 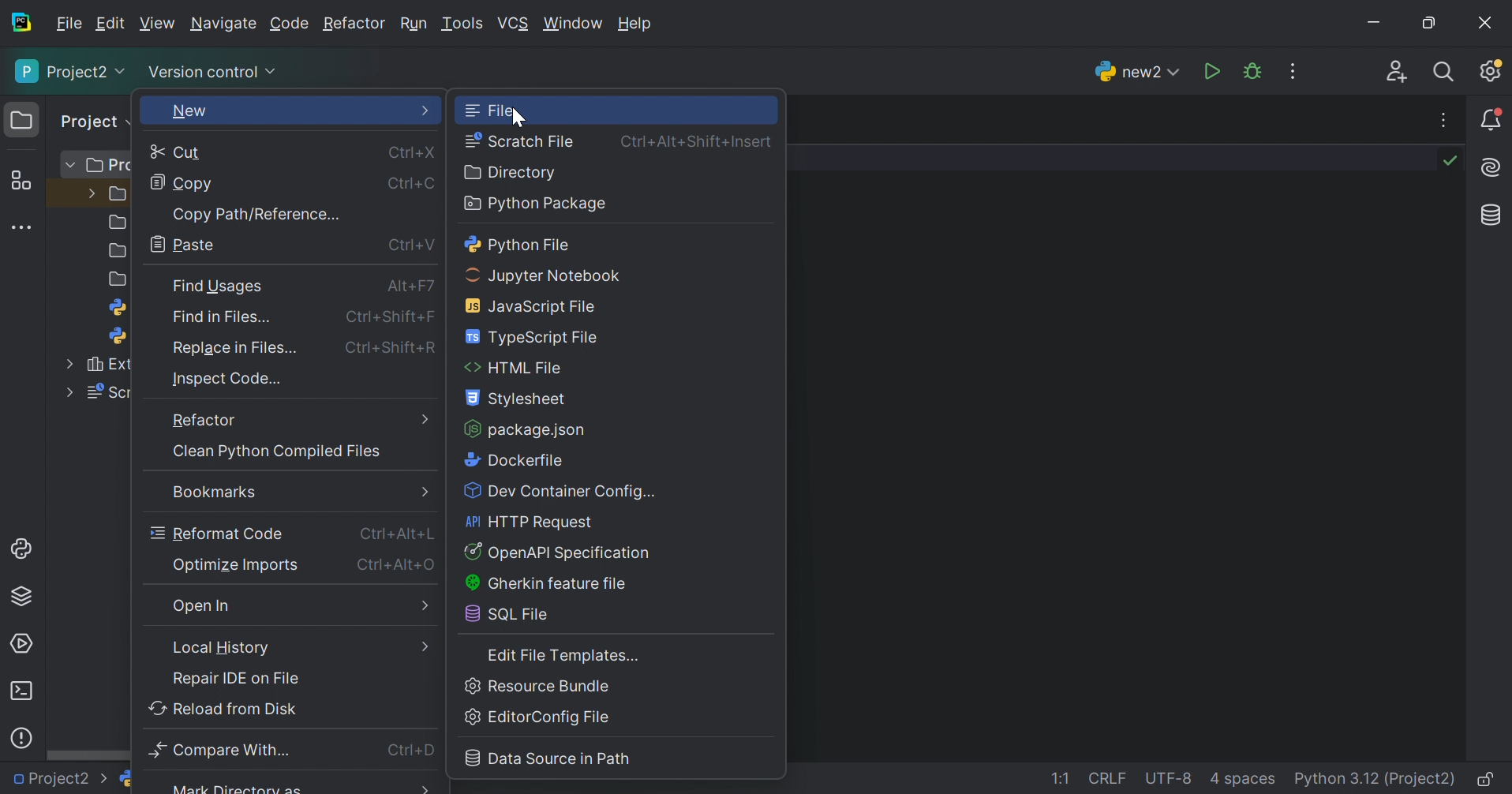 I want to click on Services, so click(x=23, y=642).